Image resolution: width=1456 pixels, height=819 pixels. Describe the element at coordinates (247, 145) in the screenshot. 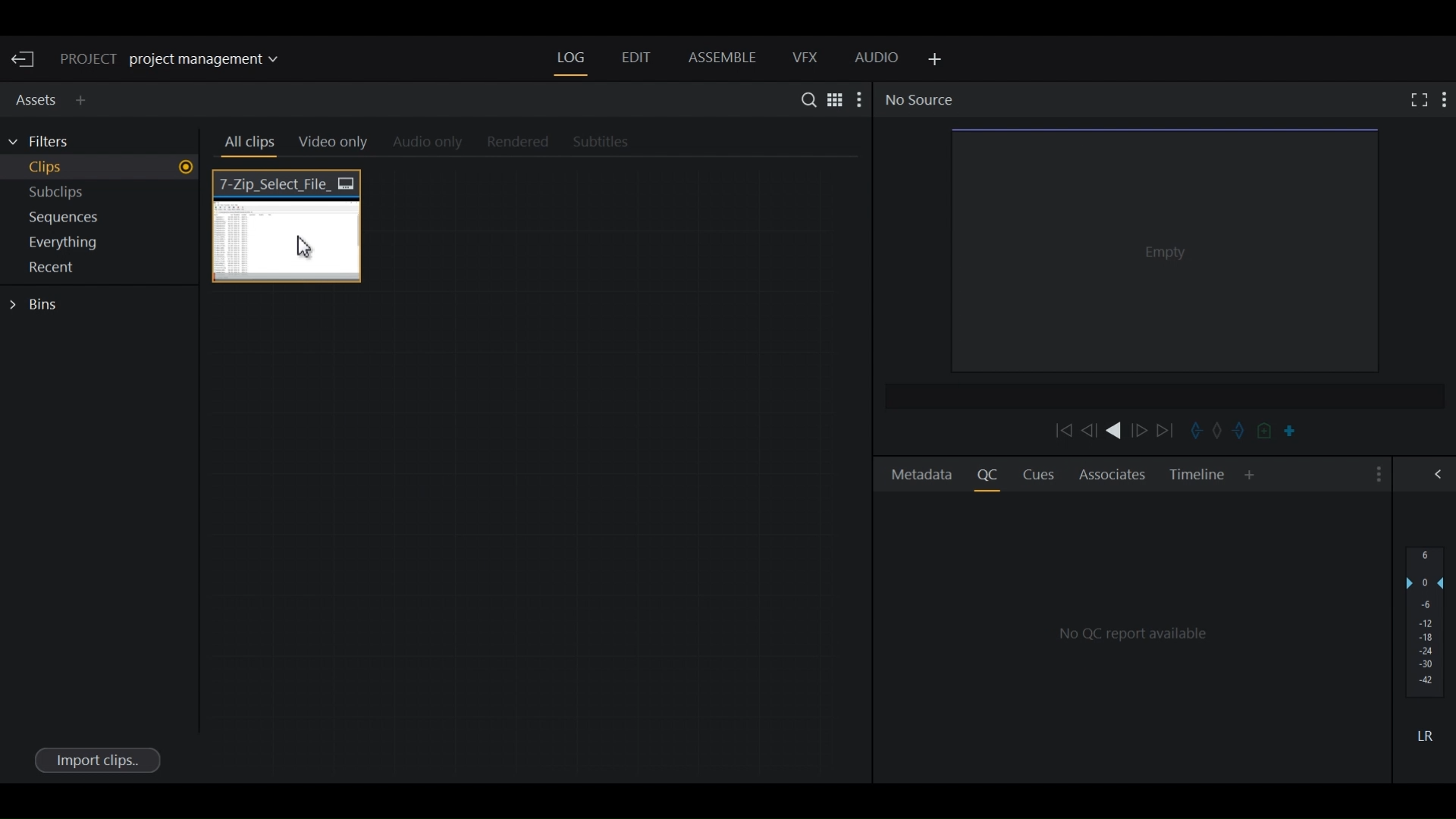

I see `All clips` at that location.